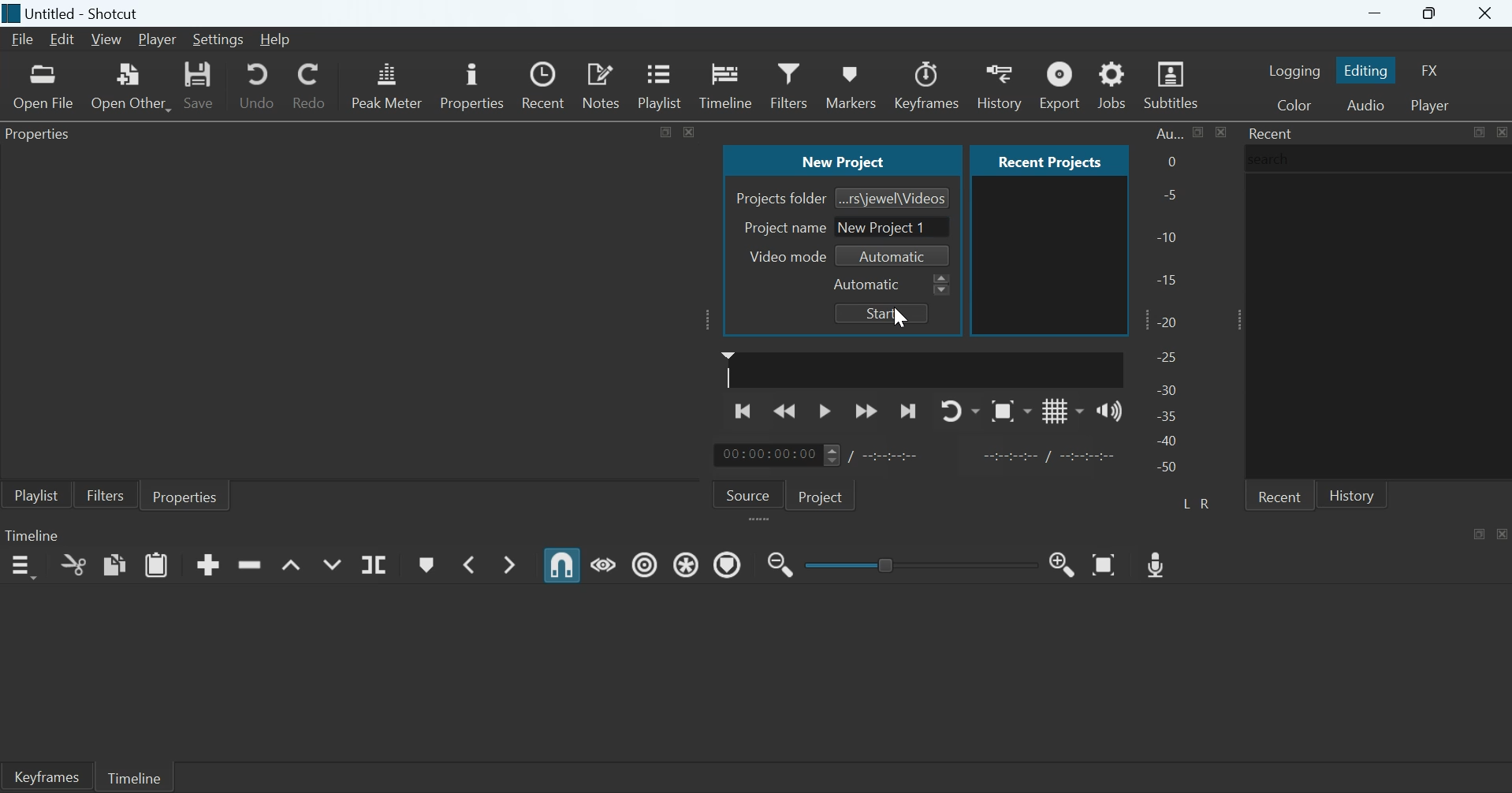 The image size is (1512, 793). I want to click on search, so click(1273, 158).